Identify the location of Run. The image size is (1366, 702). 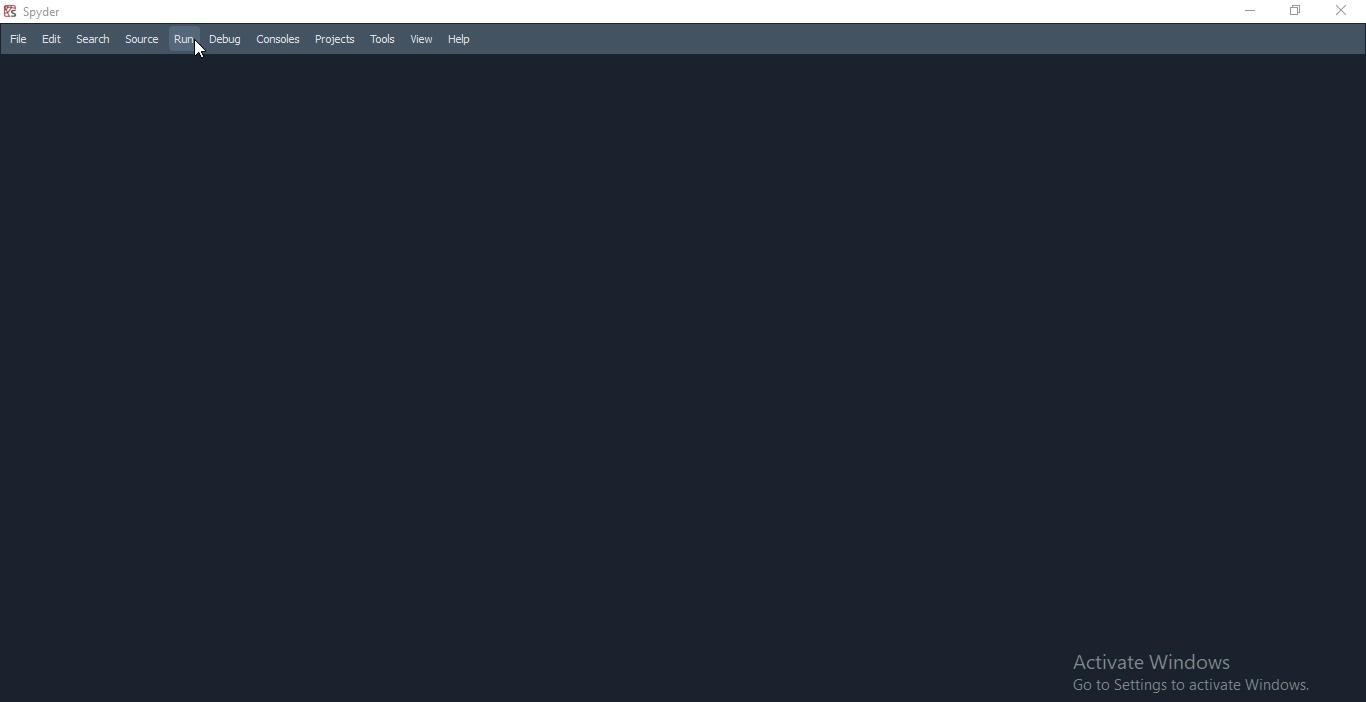
(182, 39).